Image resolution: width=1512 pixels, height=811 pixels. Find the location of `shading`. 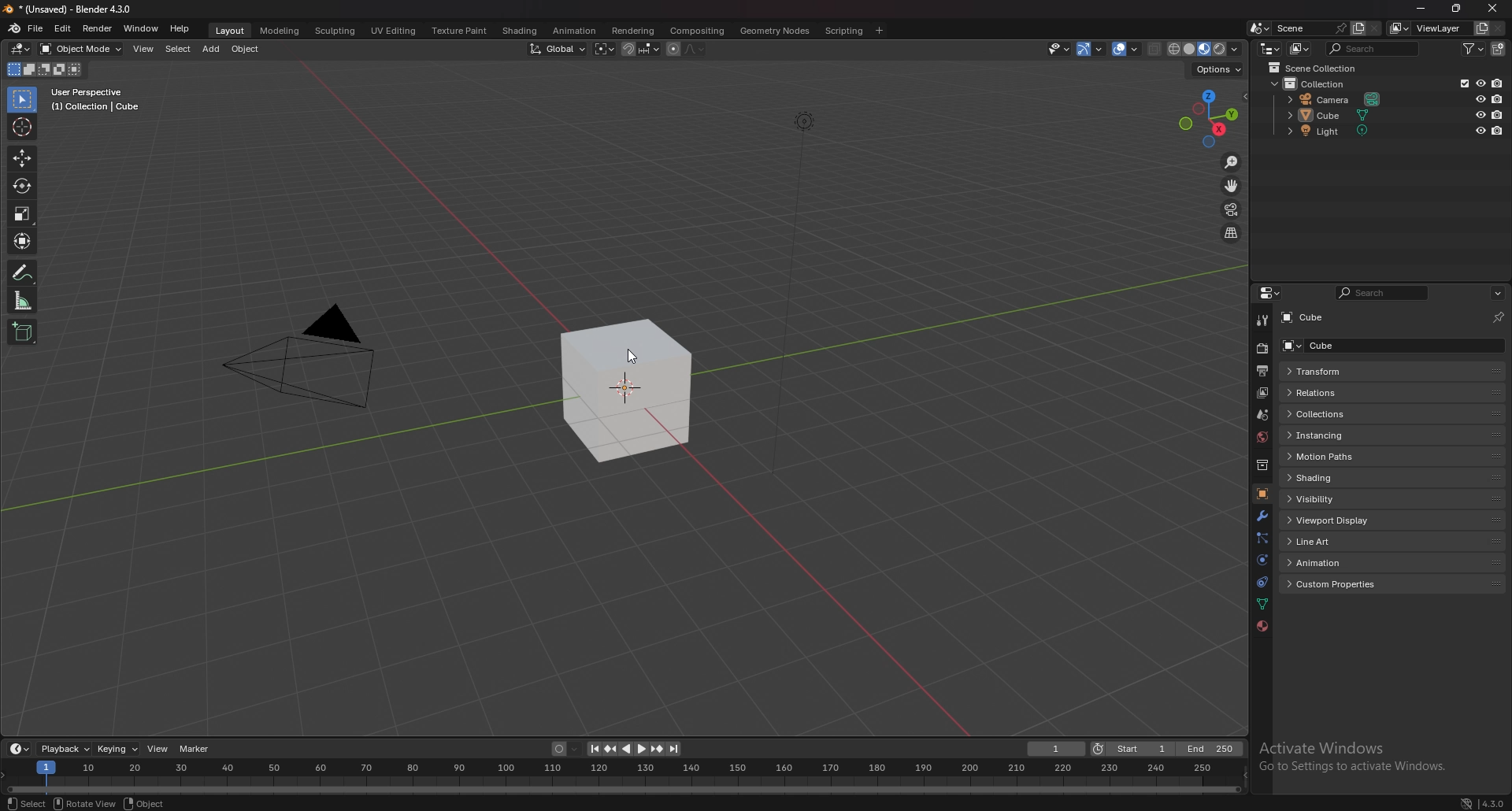

shading is located at coordinates (1340, 477).